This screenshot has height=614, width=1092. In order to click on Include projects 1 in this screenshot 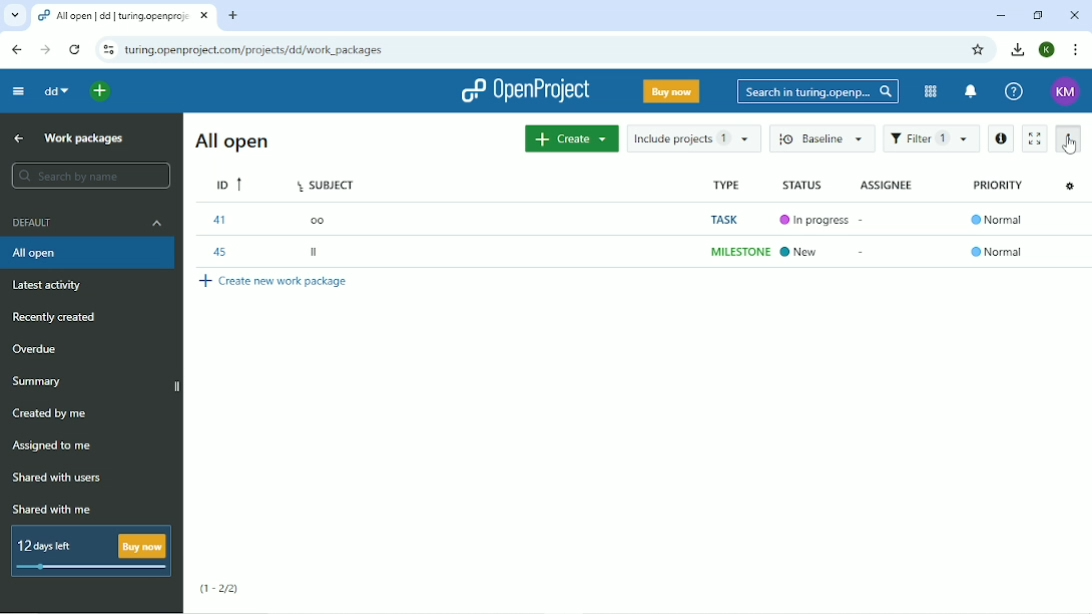, I will do `click(695, 138)`.